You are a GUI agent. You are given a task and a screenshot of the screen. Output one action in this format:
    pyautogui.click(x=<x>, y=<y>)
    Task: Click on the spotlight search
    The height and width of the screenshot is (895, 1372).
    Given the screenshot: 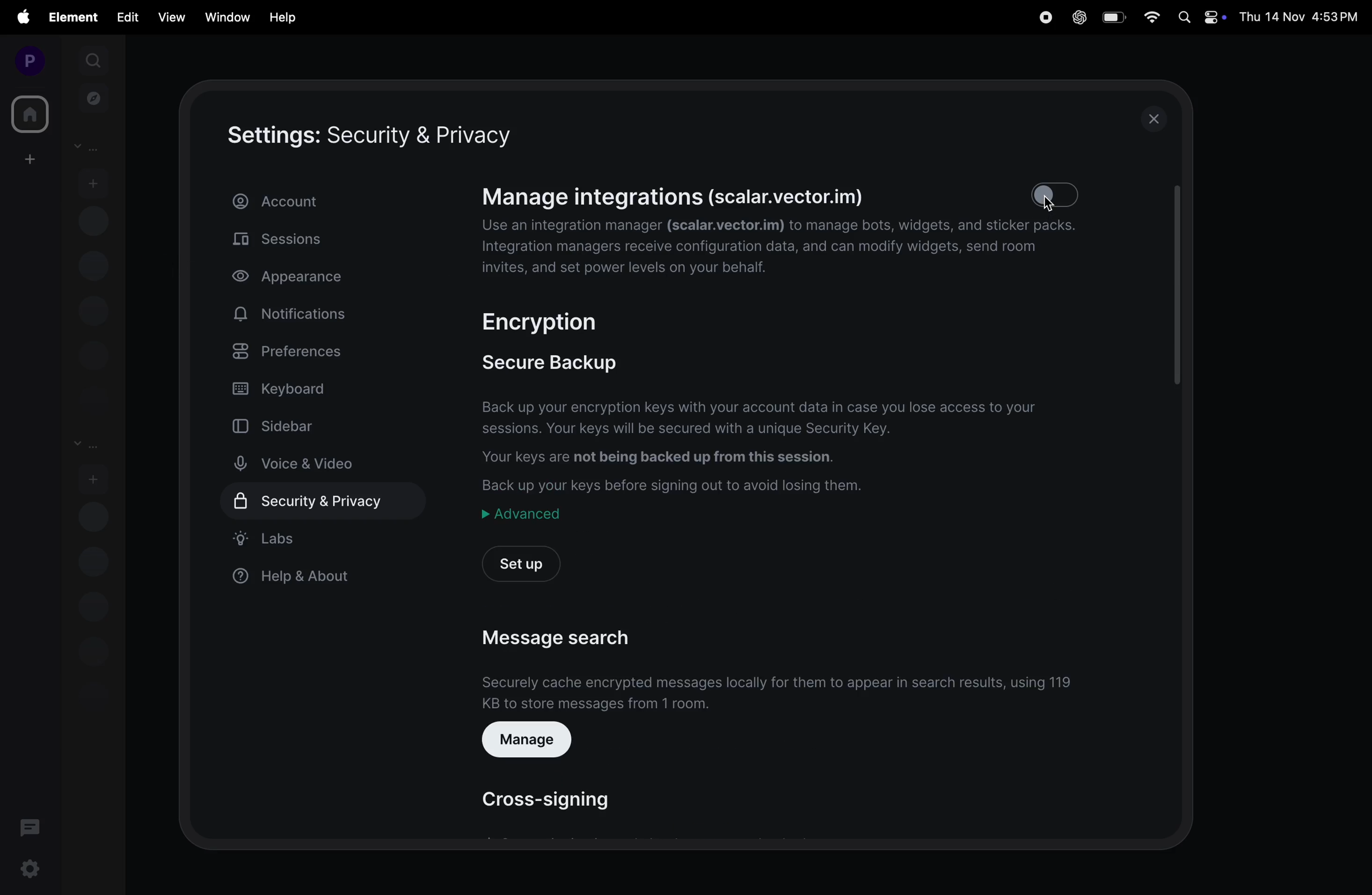 What is the action you would take?
    pyautogui.click(x=1183, y=16)
    